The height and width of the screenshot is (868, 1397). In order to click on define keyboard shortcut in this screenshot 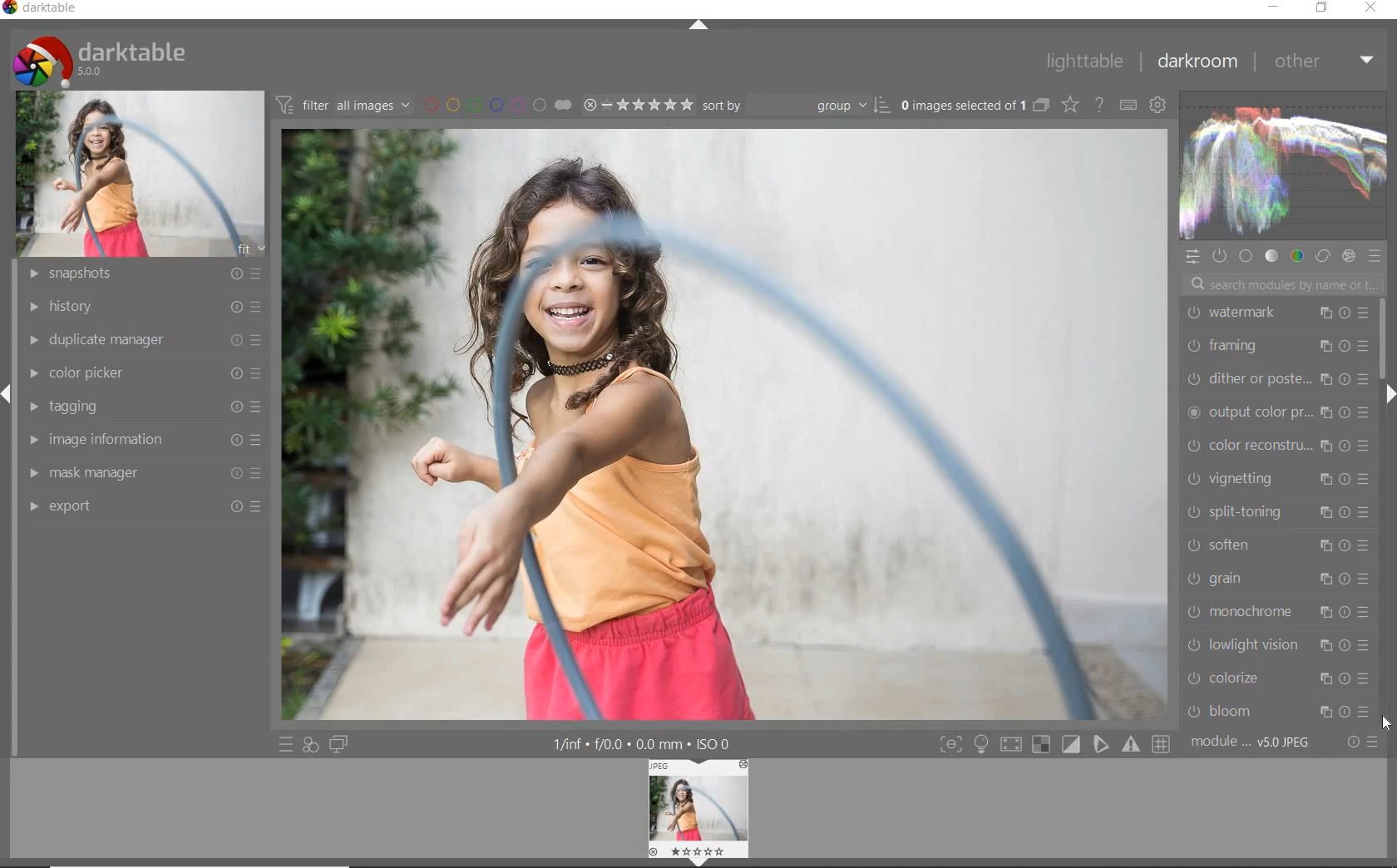, I will do `click(1128, 105)`.